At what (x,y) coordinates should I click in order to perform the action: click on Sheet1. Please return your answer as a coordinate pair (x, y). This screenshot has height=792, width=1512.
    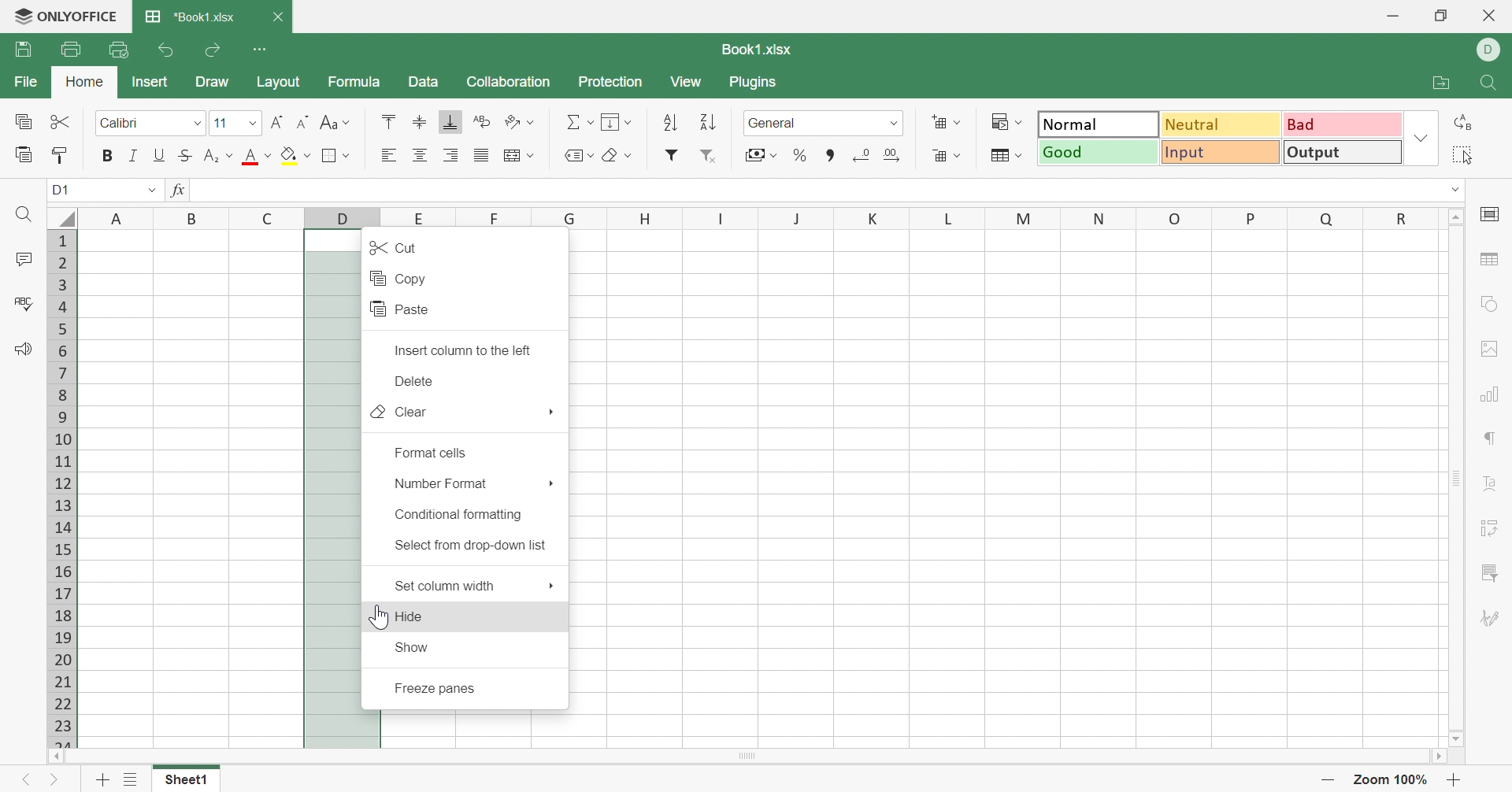
    Looking at the image, I should click on (187, 781).